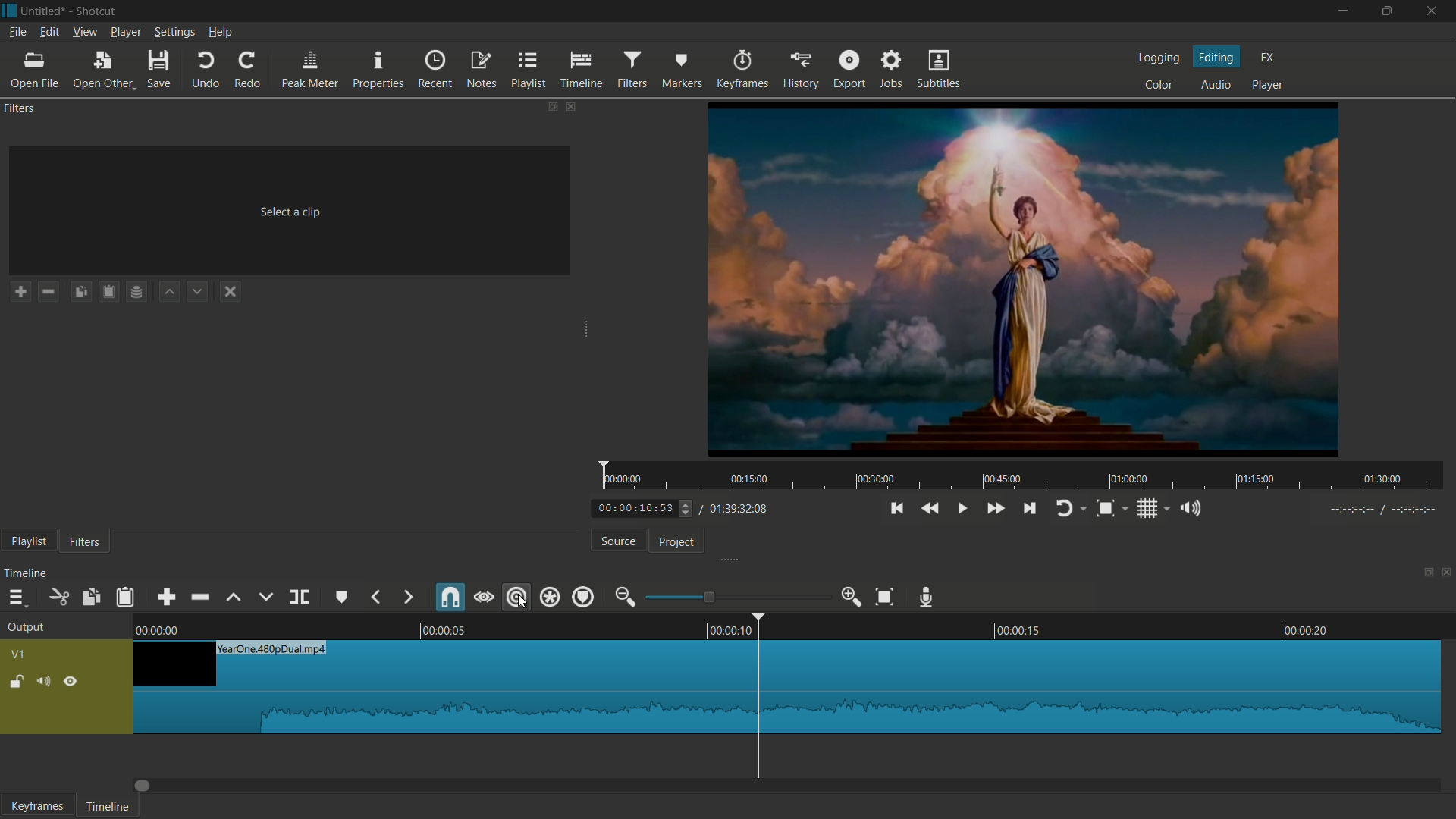 This screenshot has width=1456, height=819. What do you see at coordinates (108, 808) in the screenshot?
I see `timeline` at bounding box center [108, 808].